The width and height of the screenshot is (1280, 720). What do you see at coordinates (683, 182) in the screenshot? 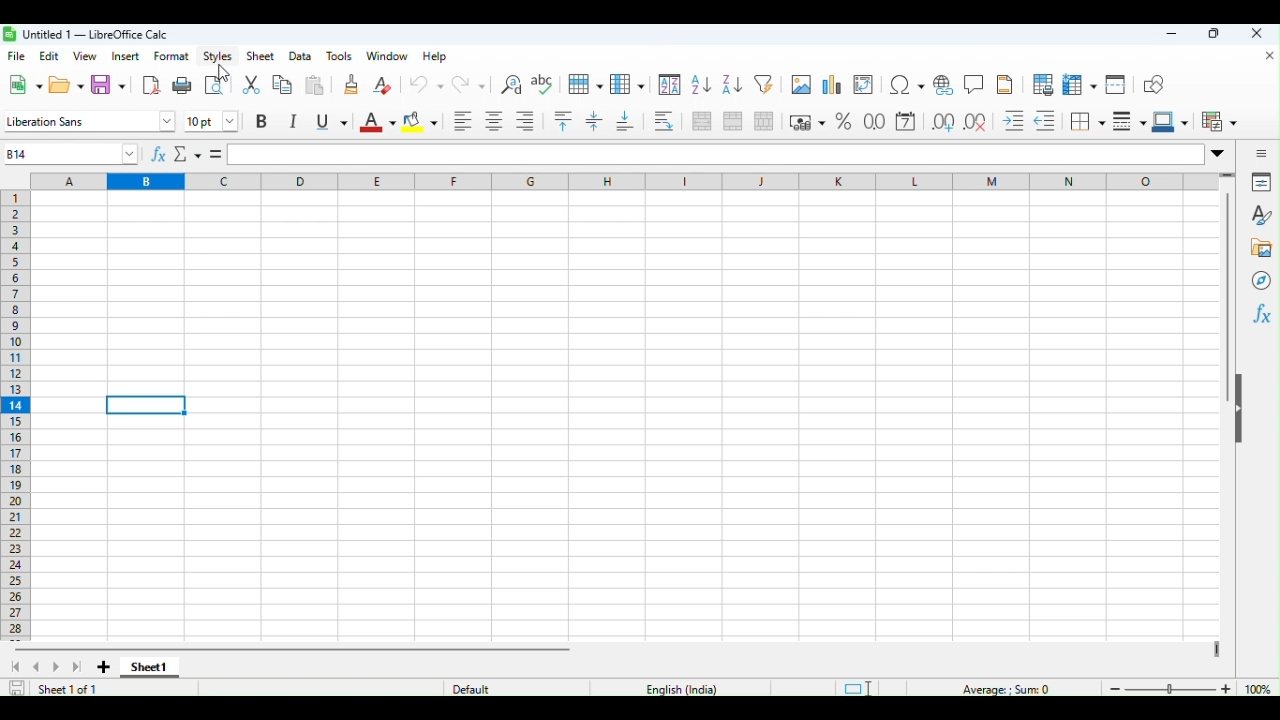
I see `i` at bounding box center [683, 182].